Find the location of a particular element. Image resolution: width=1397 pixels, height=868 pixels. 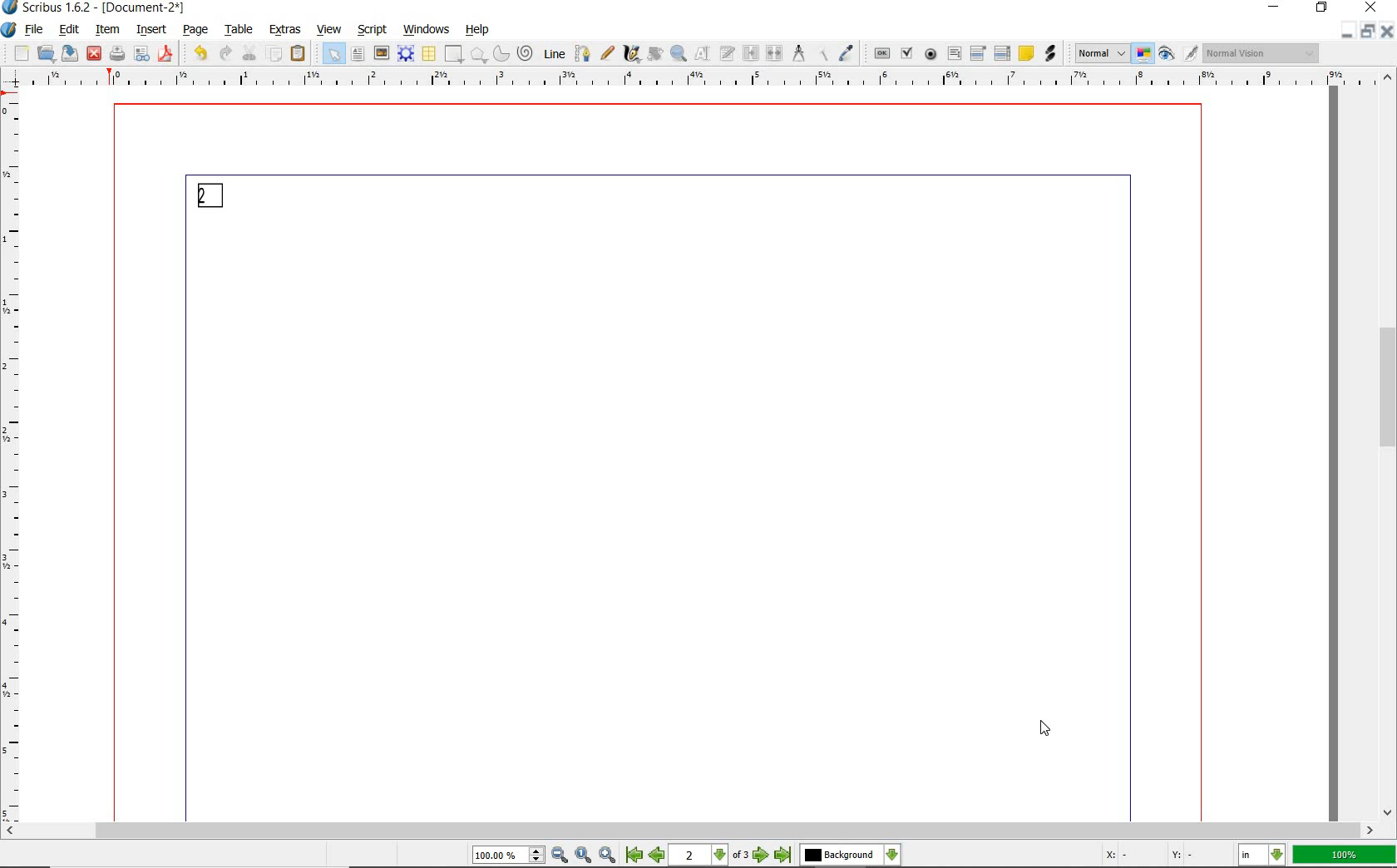

unlink text frames is located at coordinates (774, 53).